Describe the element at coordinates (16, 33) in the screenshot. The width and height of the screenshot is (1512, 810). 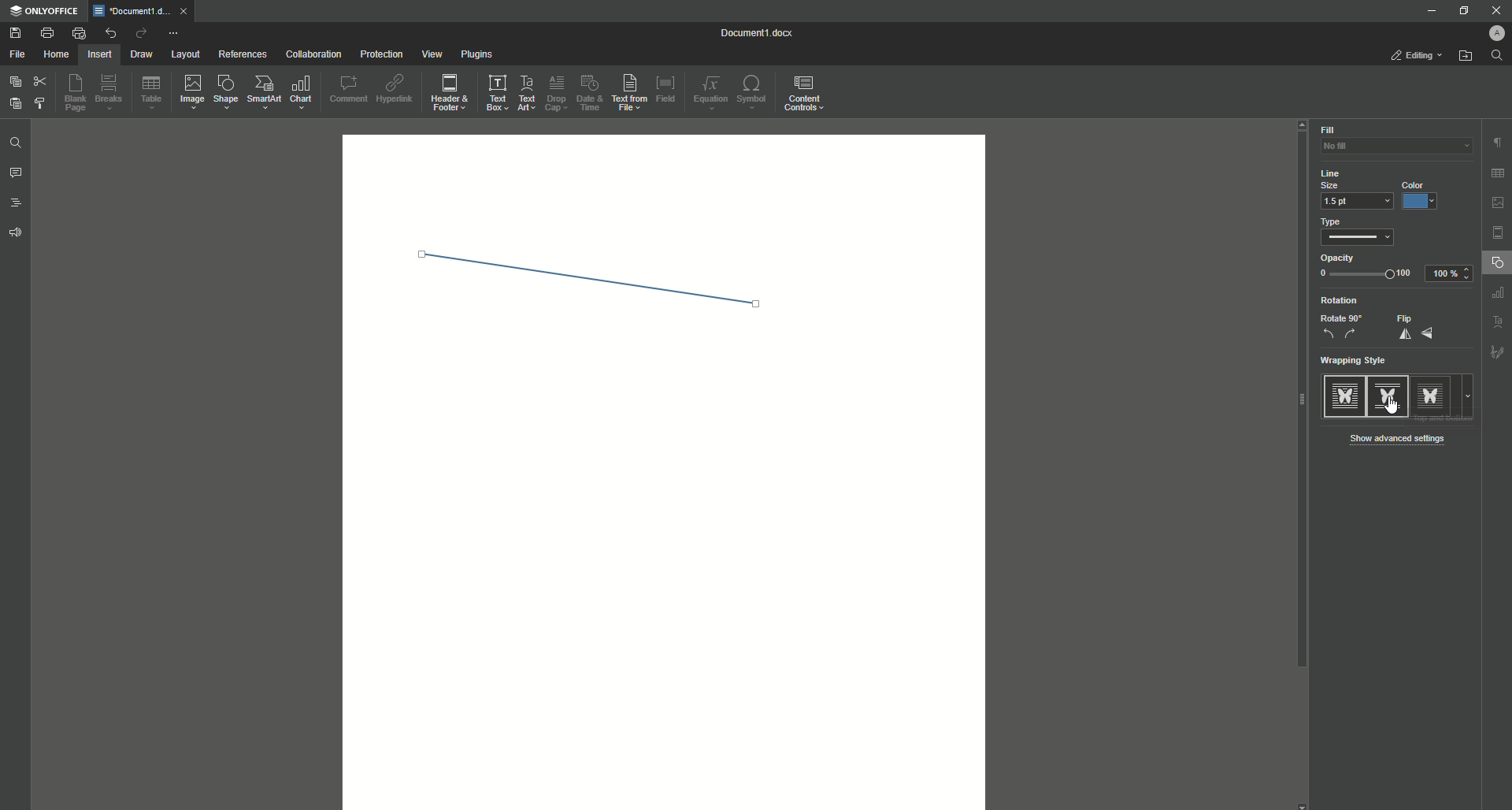
I see `Save` at that location.